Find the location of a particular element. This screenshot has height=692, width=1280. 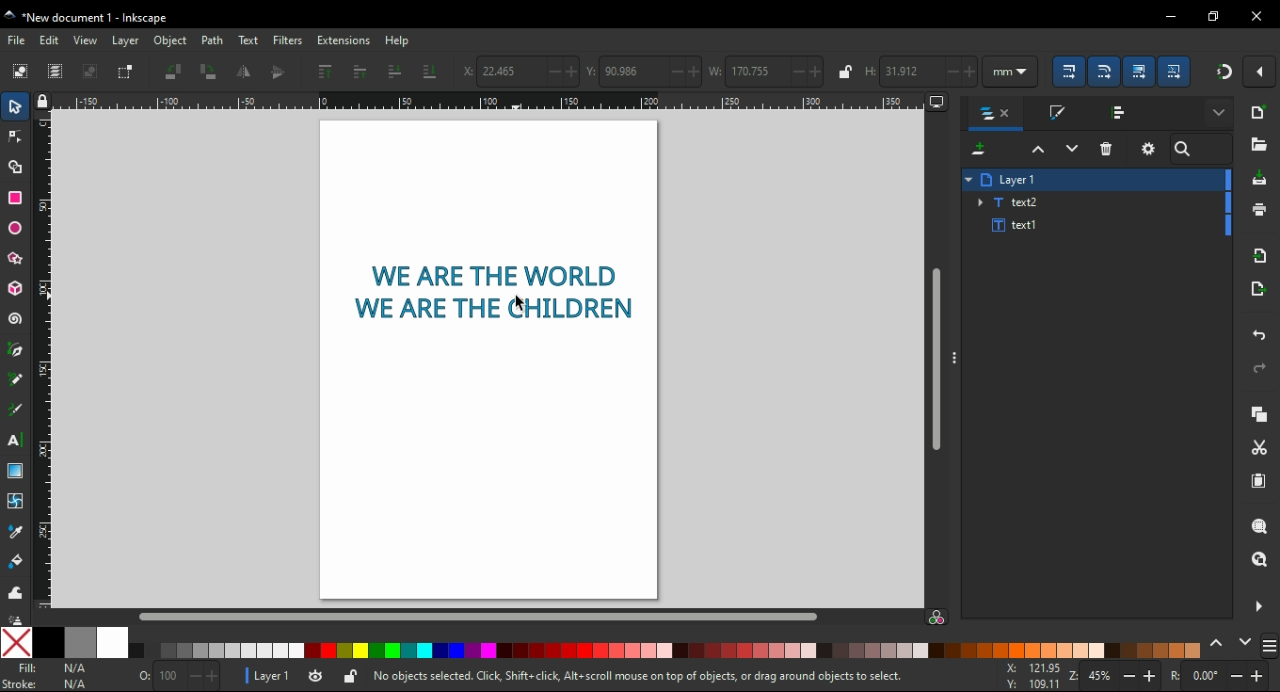

selected object unlocked is located at coordinates (350, 677).